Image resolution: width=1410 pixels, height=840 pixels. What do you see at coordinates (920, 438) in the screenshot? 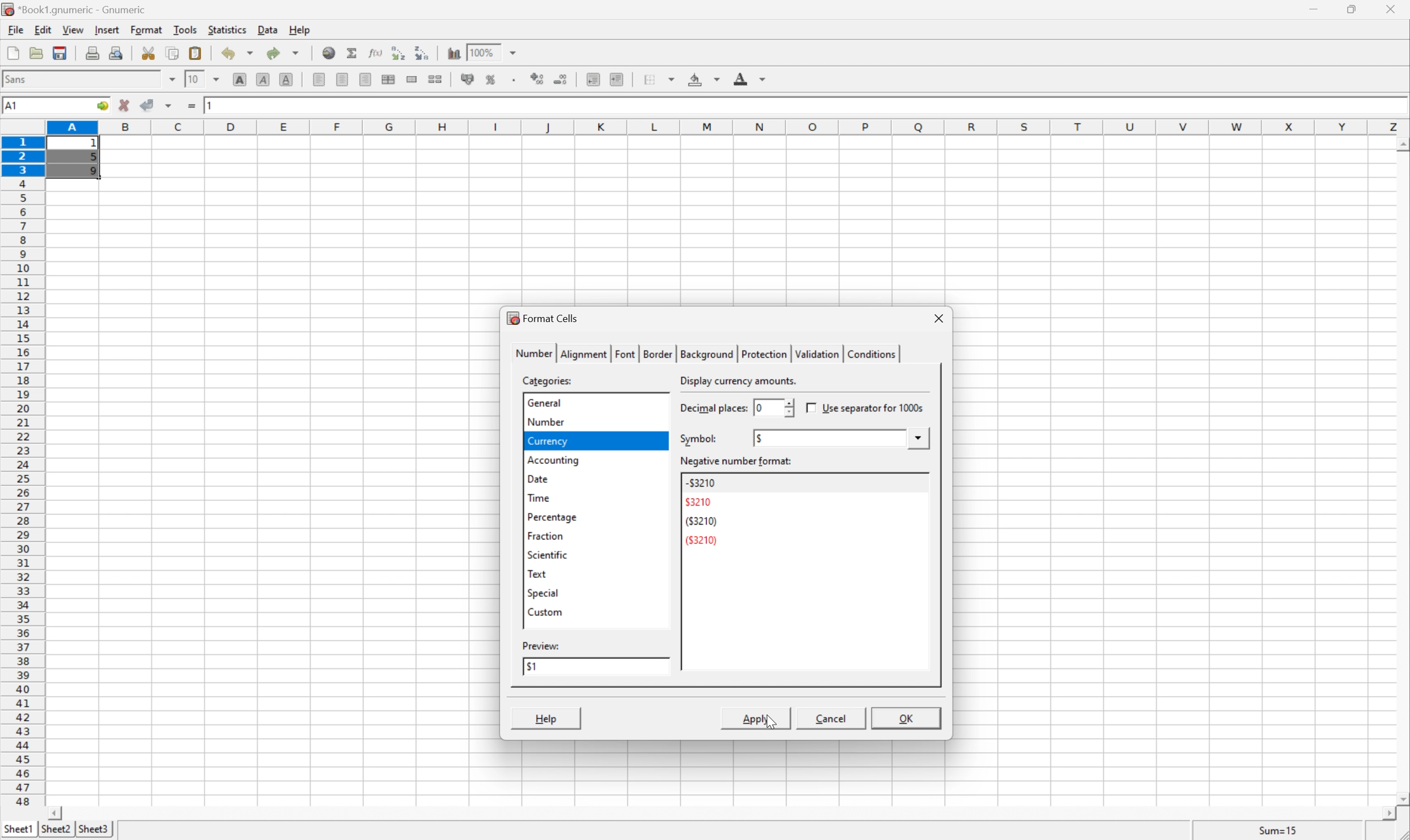
I see `drop down` at bounding box center [920, 438].